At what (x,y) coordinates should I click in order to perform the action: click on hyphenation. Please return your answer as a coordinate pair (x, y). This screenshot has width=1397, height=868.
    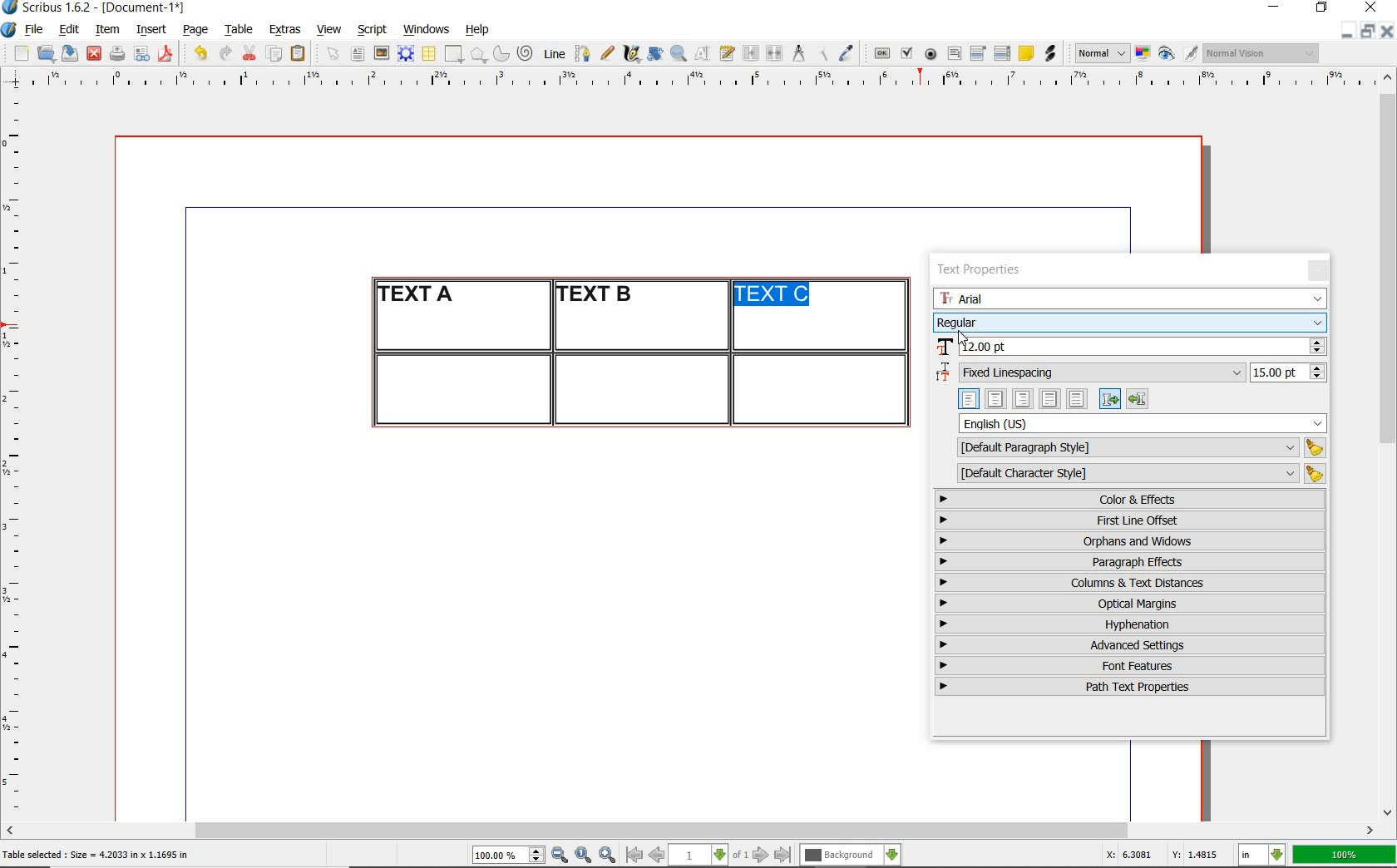
    Looking at the image, I should click on (1130, 624).